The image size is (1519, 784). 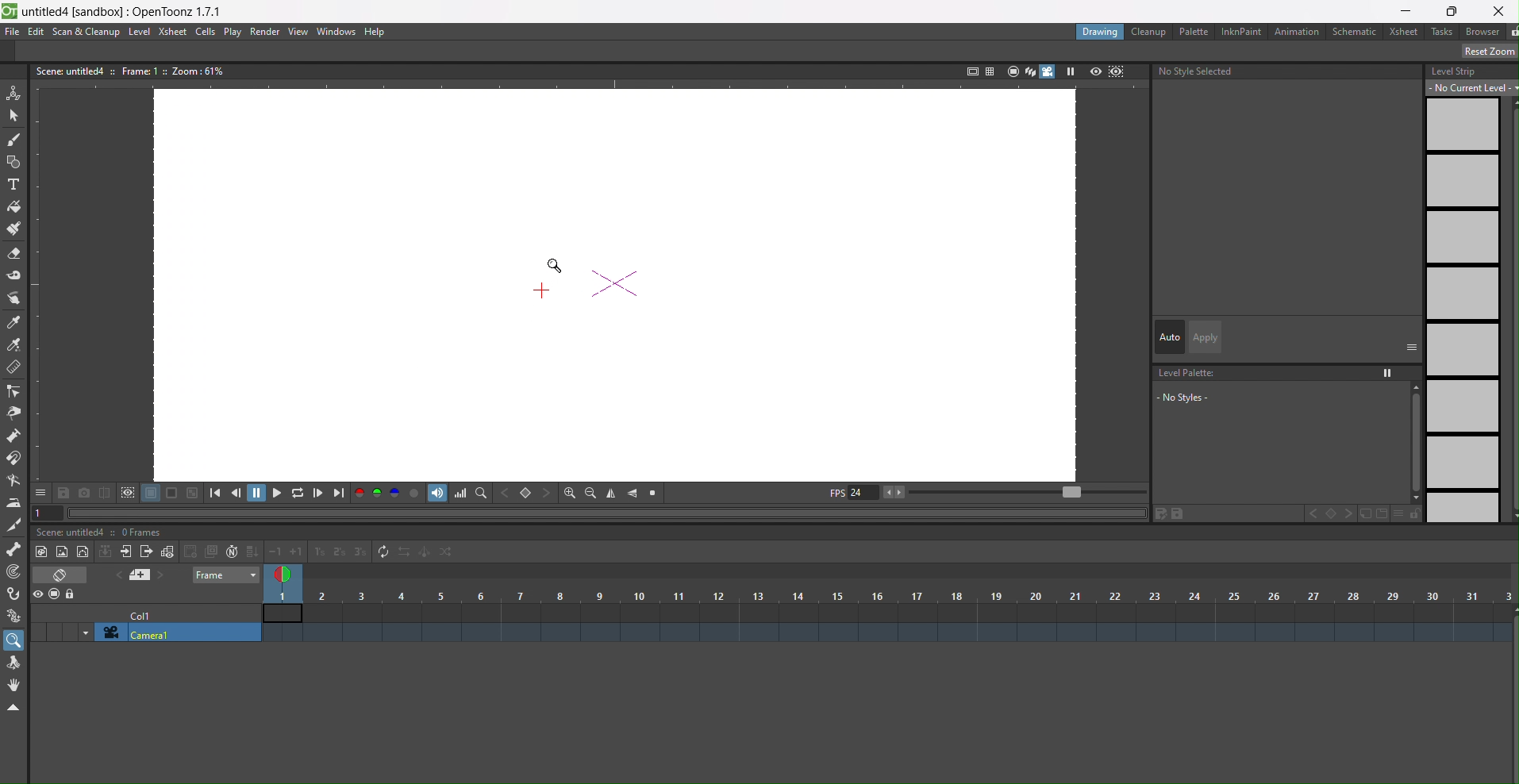 What do you see at coordinates (13, 229) in the screenshot?
I see `paint brush tool` at bounding box center [13, 229].